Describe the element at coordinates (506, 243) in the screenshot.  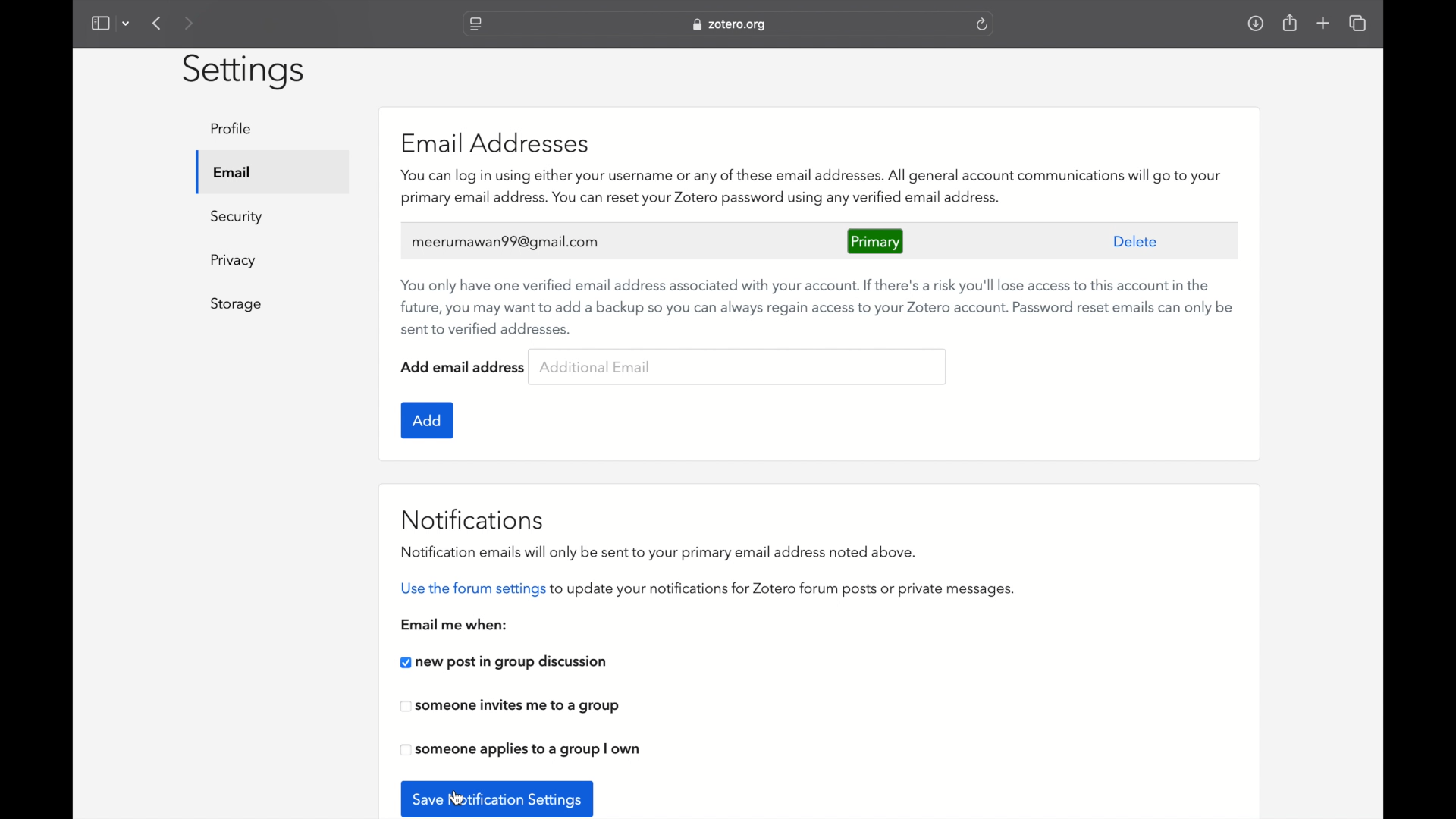
I see `meerumawan99@gmail.com` at that location.